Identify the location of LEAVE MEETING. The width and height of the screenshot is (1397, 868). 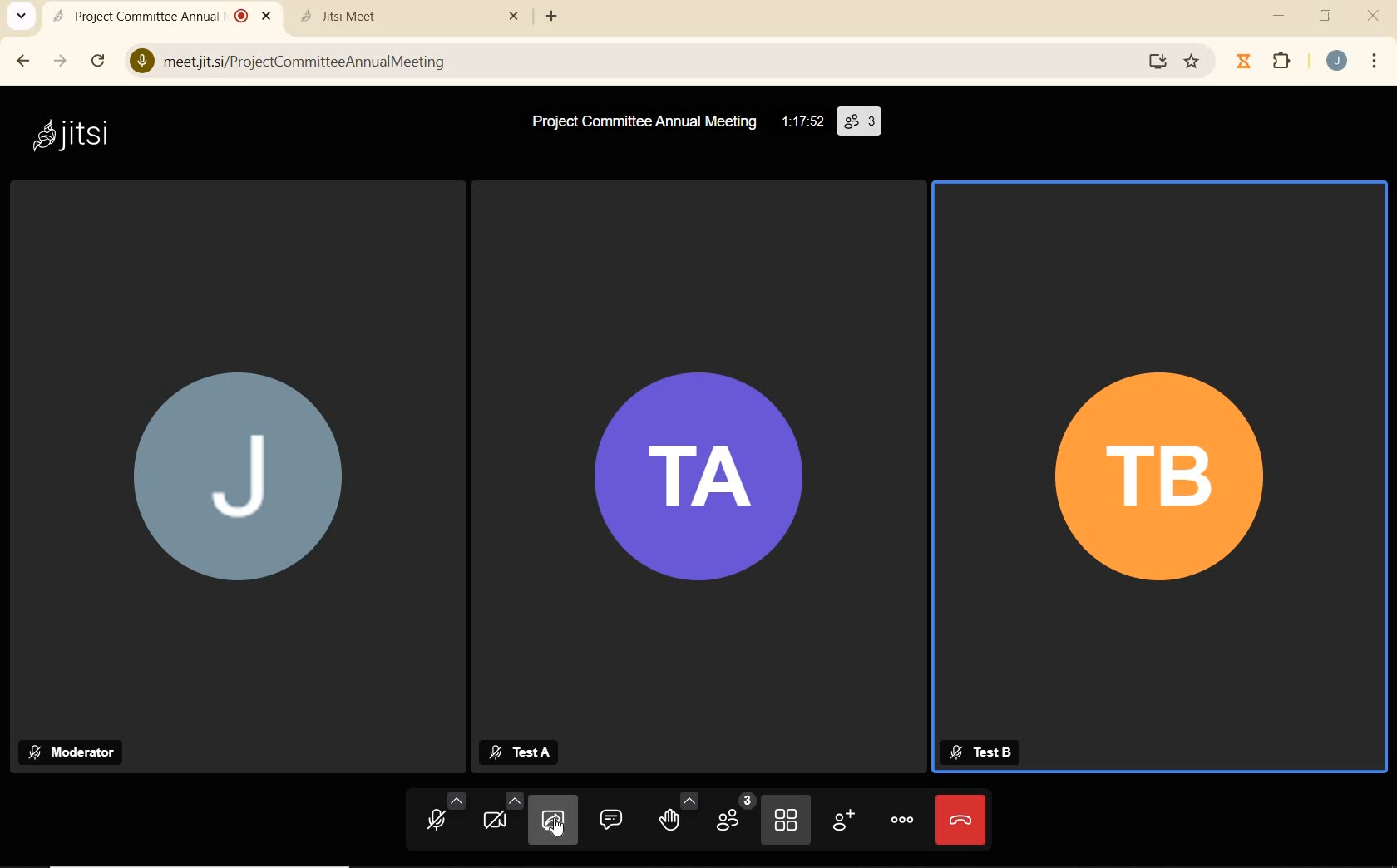
(960, 819).